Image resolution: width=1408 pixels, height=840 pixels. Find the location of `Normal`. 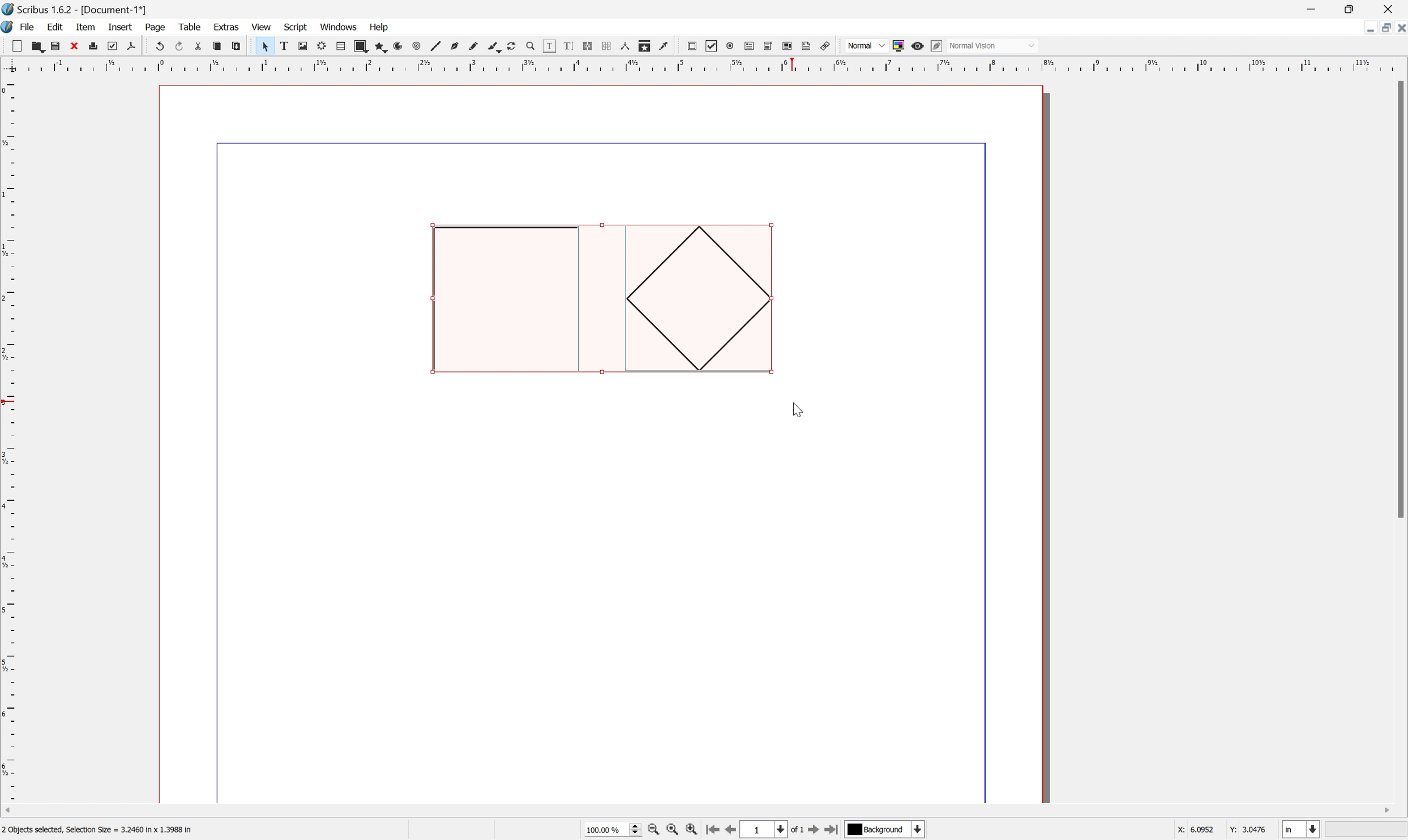

Normal is located at coordinates (866, 45).